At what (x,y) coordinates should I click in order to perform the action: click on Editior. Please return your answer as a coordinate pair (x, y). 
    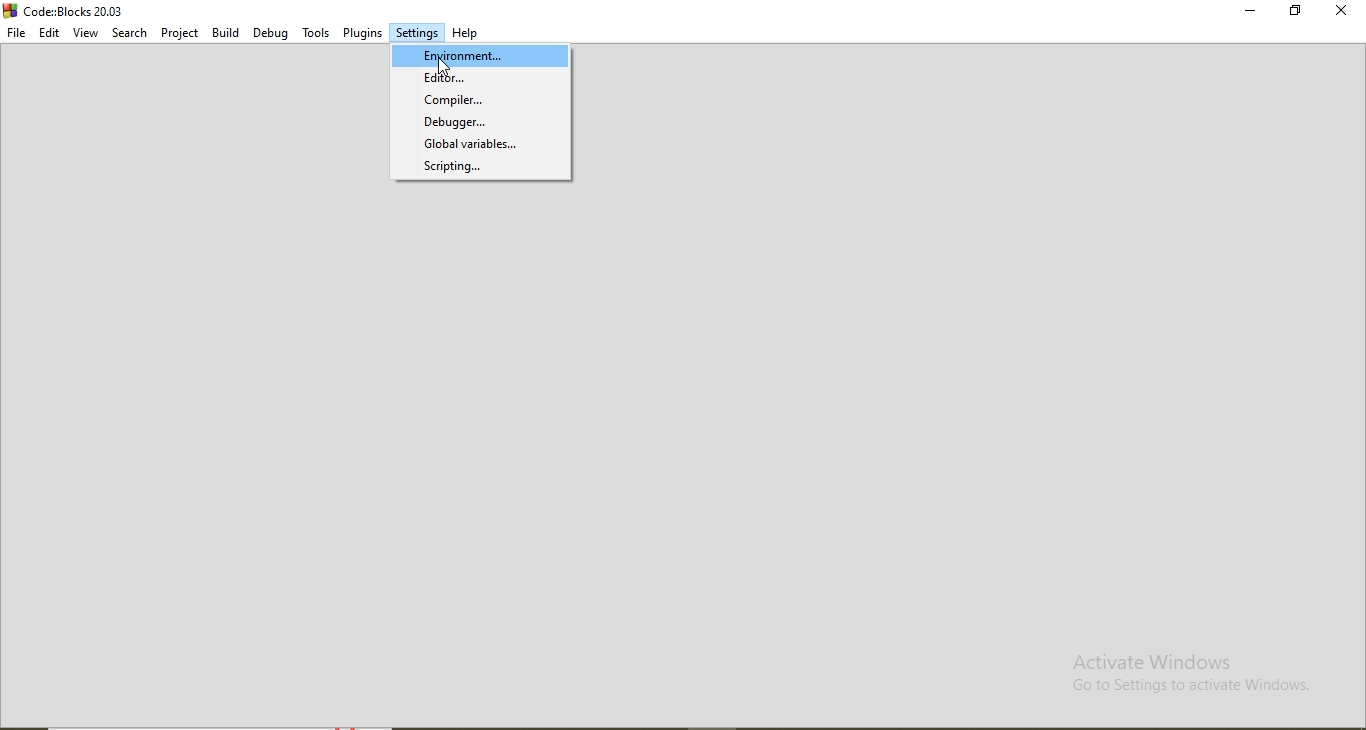
    Looking at the image, I should click on (483, 77).